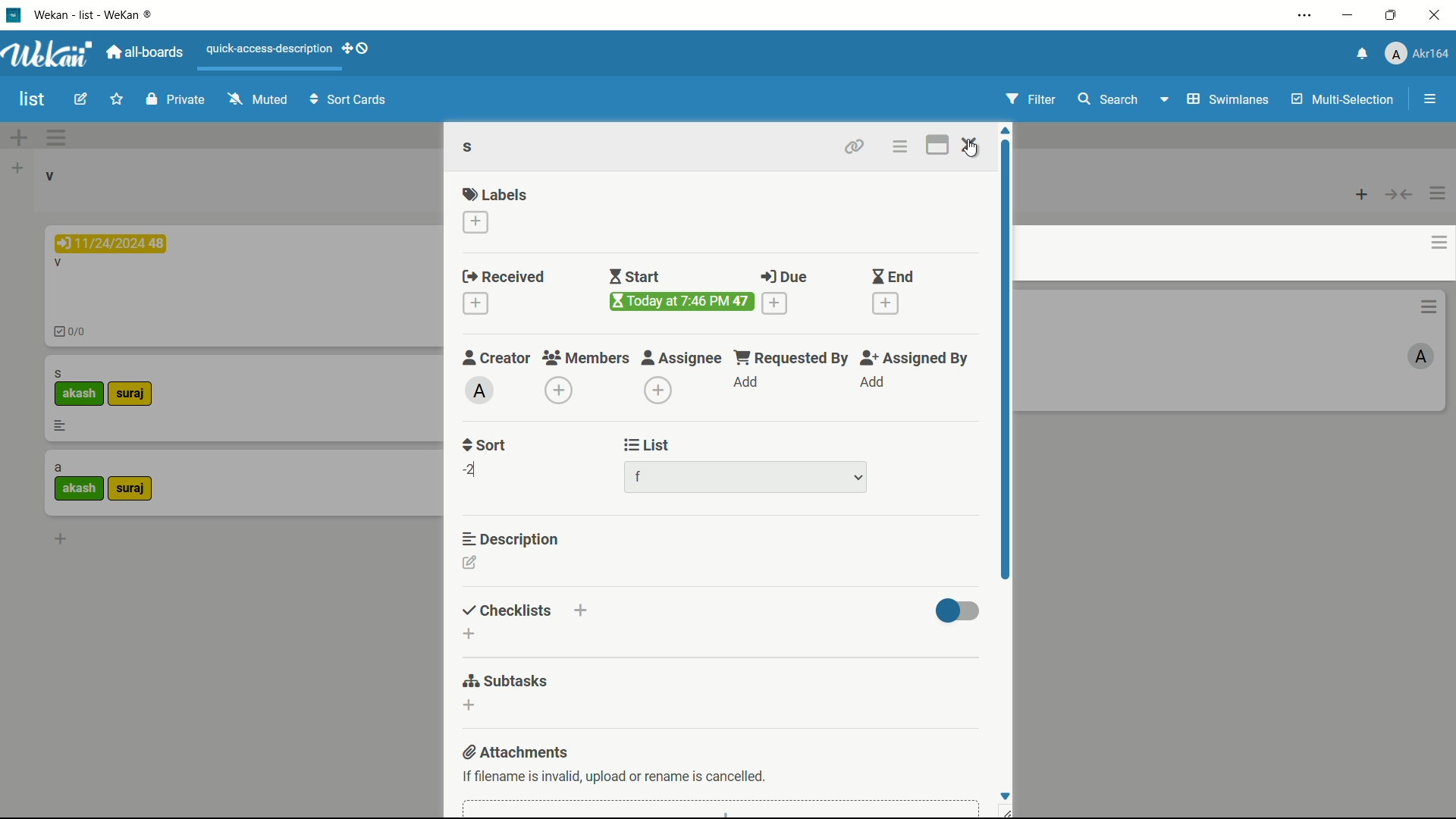 The height and width of the screenshot is (819, 1456). I want to click on due date, so click(111, 243).